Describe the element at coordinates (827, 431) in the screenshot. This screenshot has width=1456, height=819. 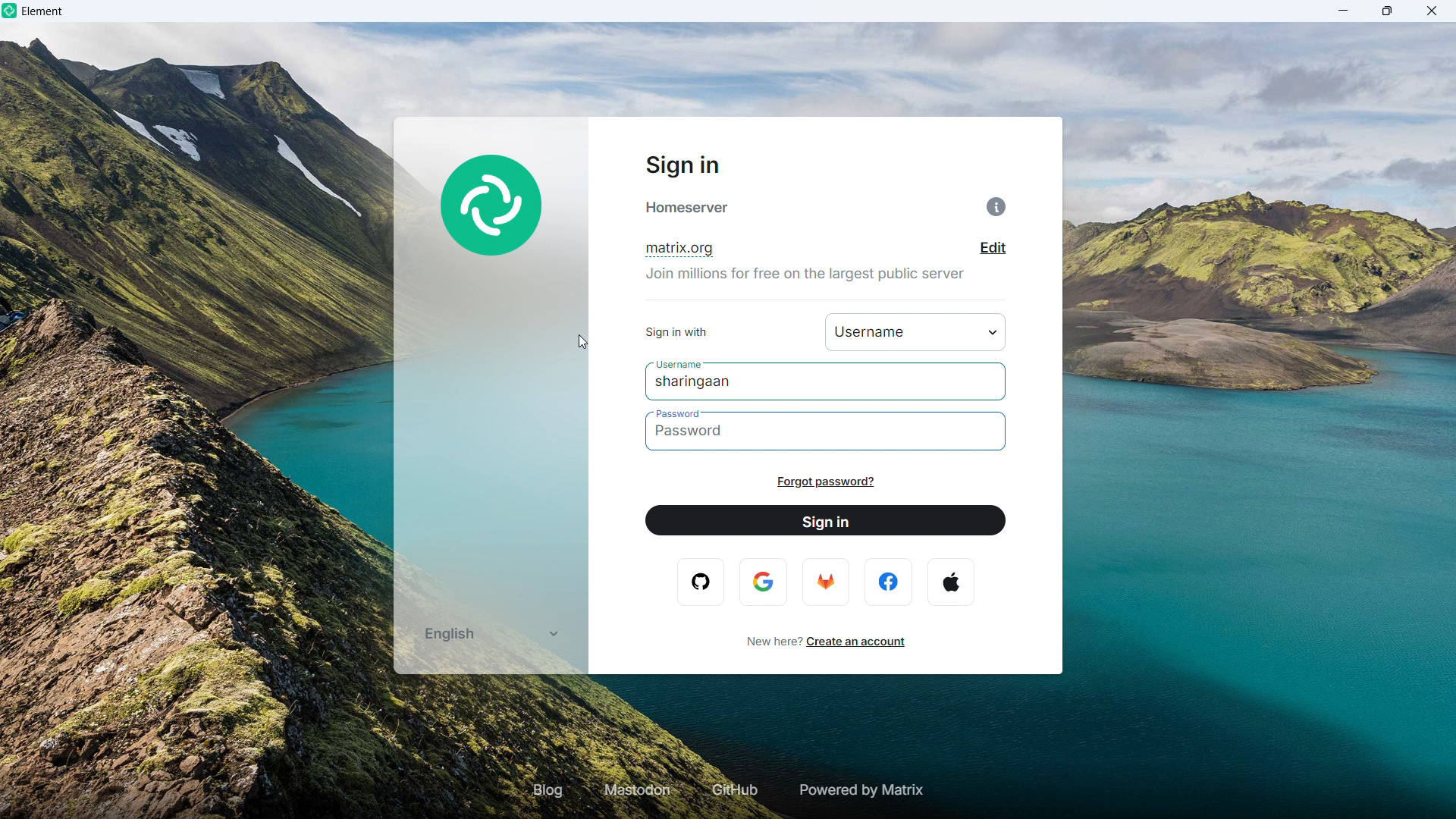
I see `Enter password ` at that location.